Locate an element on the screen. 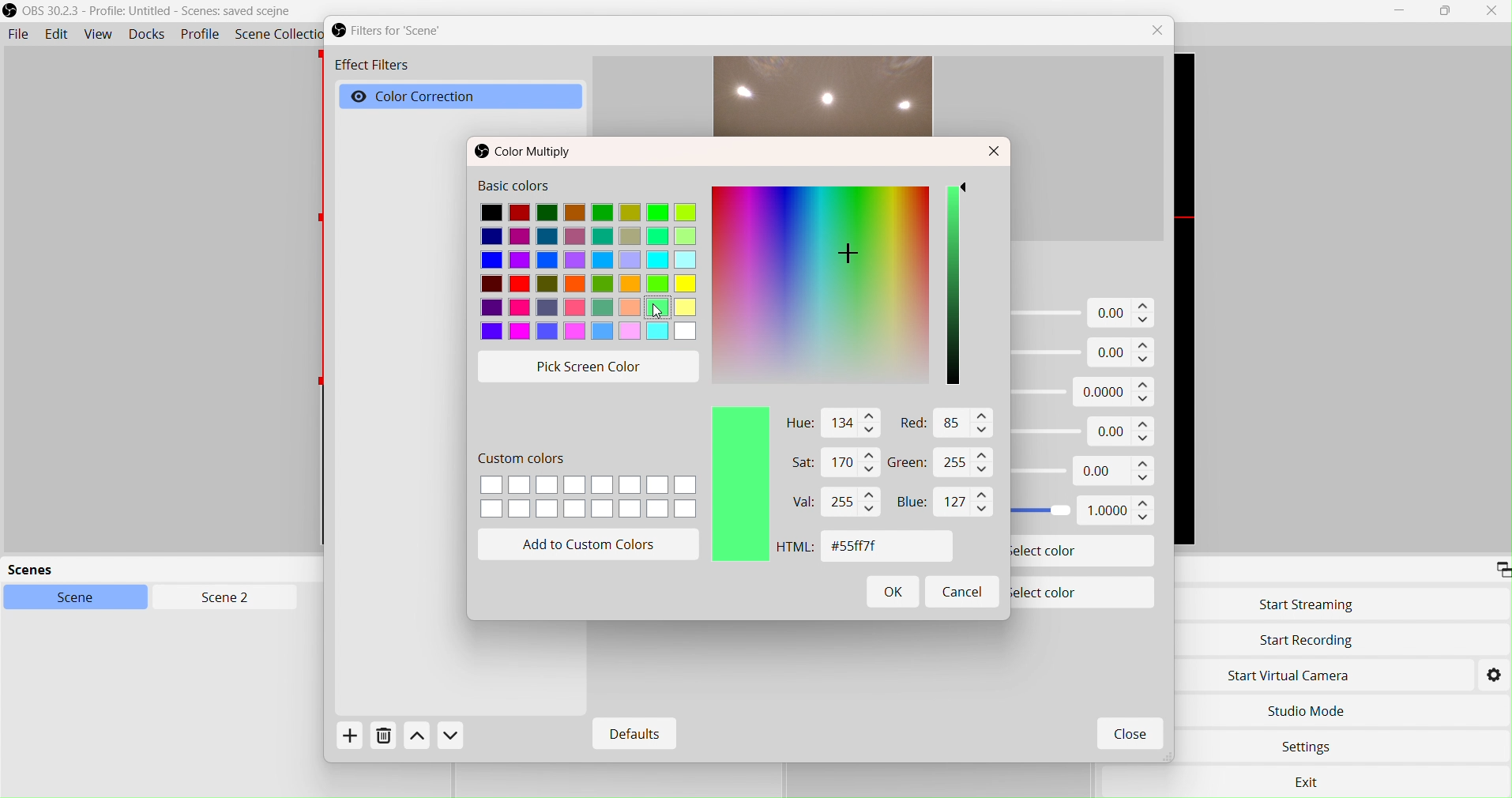 The width and height of the screenshot is (1512, 798). color scale is located at coordinates (956, 288).